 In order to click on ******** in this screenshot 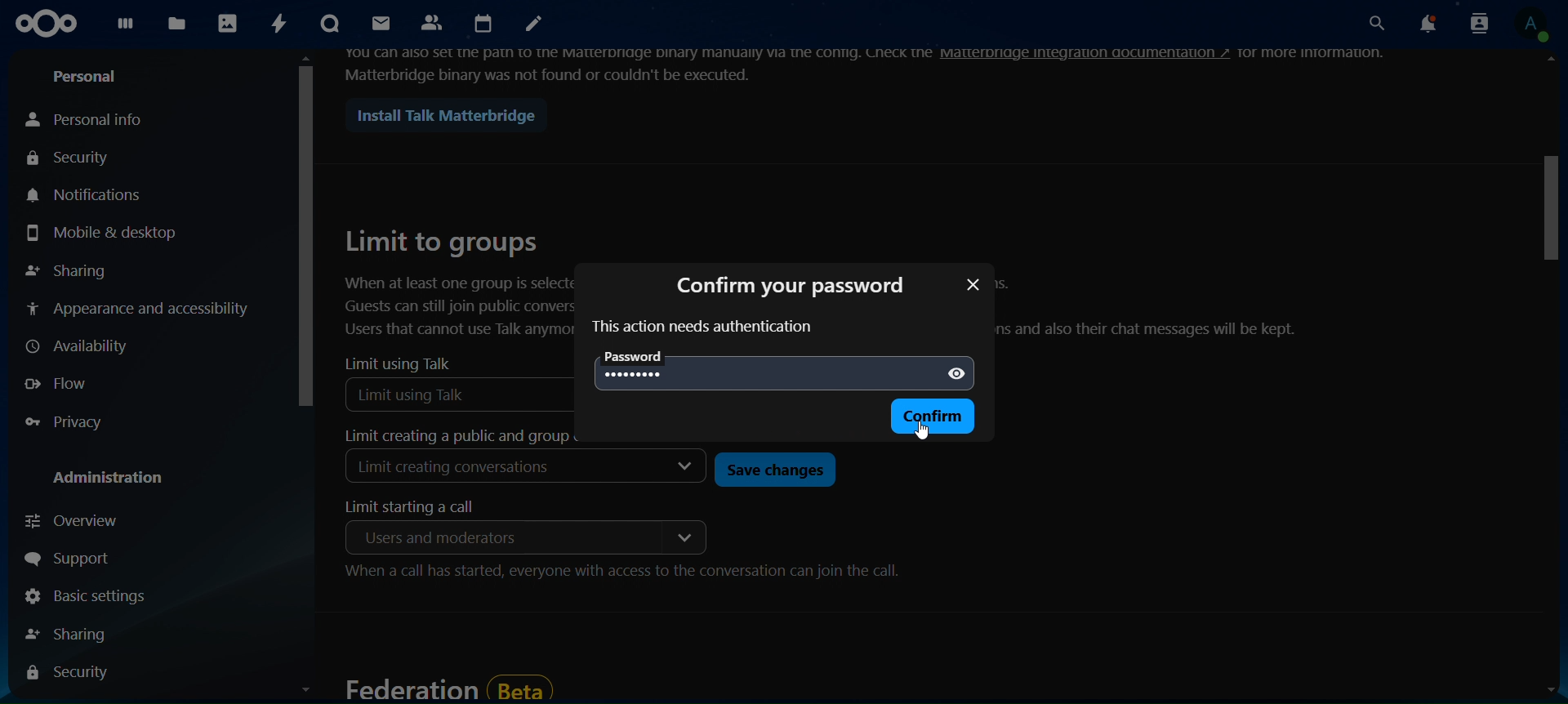, I will do `click(644, 383)`.